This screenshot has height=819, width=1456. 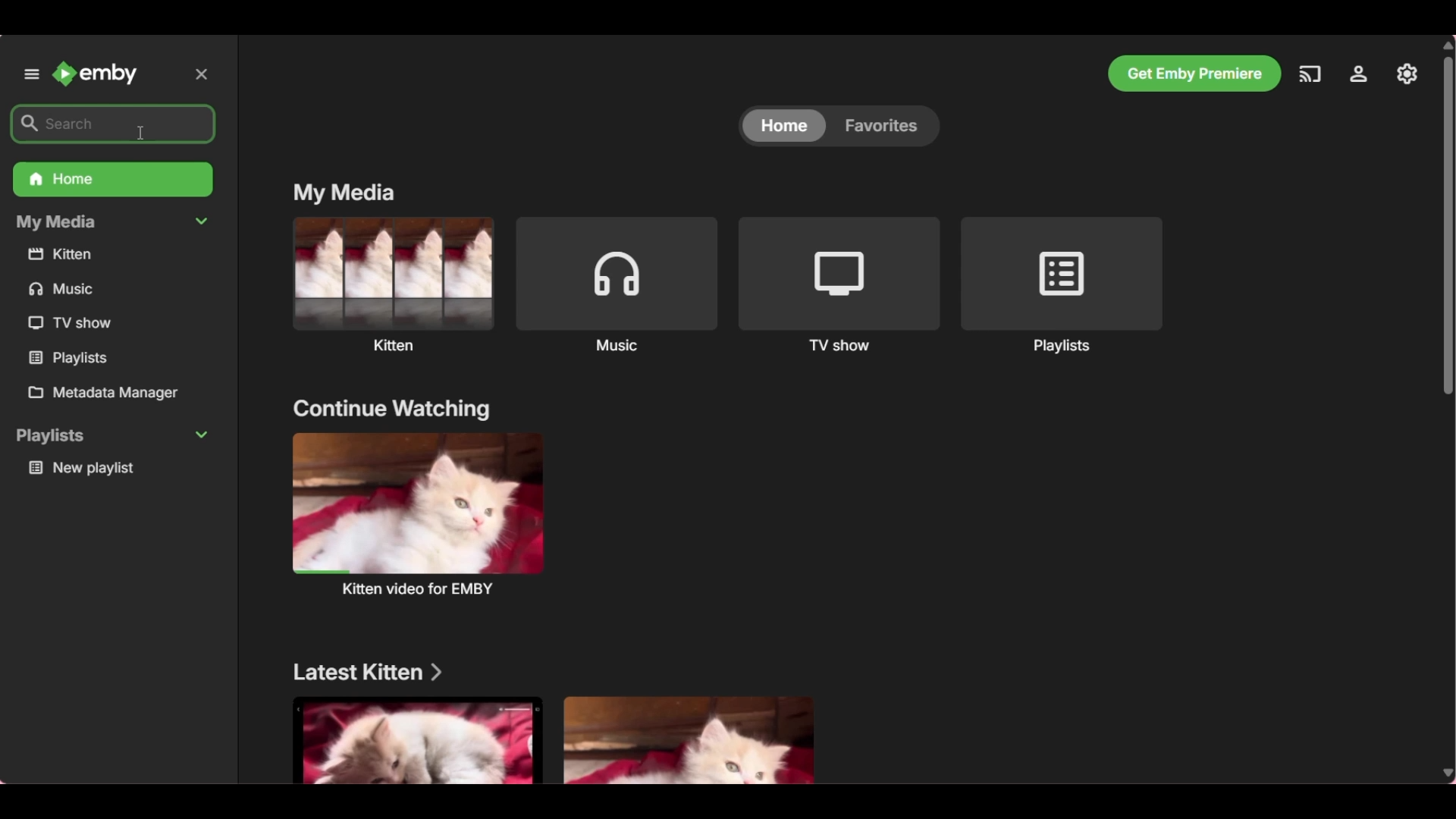 What do you see at coordinates (80, 357) in the screenshot?
I see `playlists` at bounding box center [80, 357].